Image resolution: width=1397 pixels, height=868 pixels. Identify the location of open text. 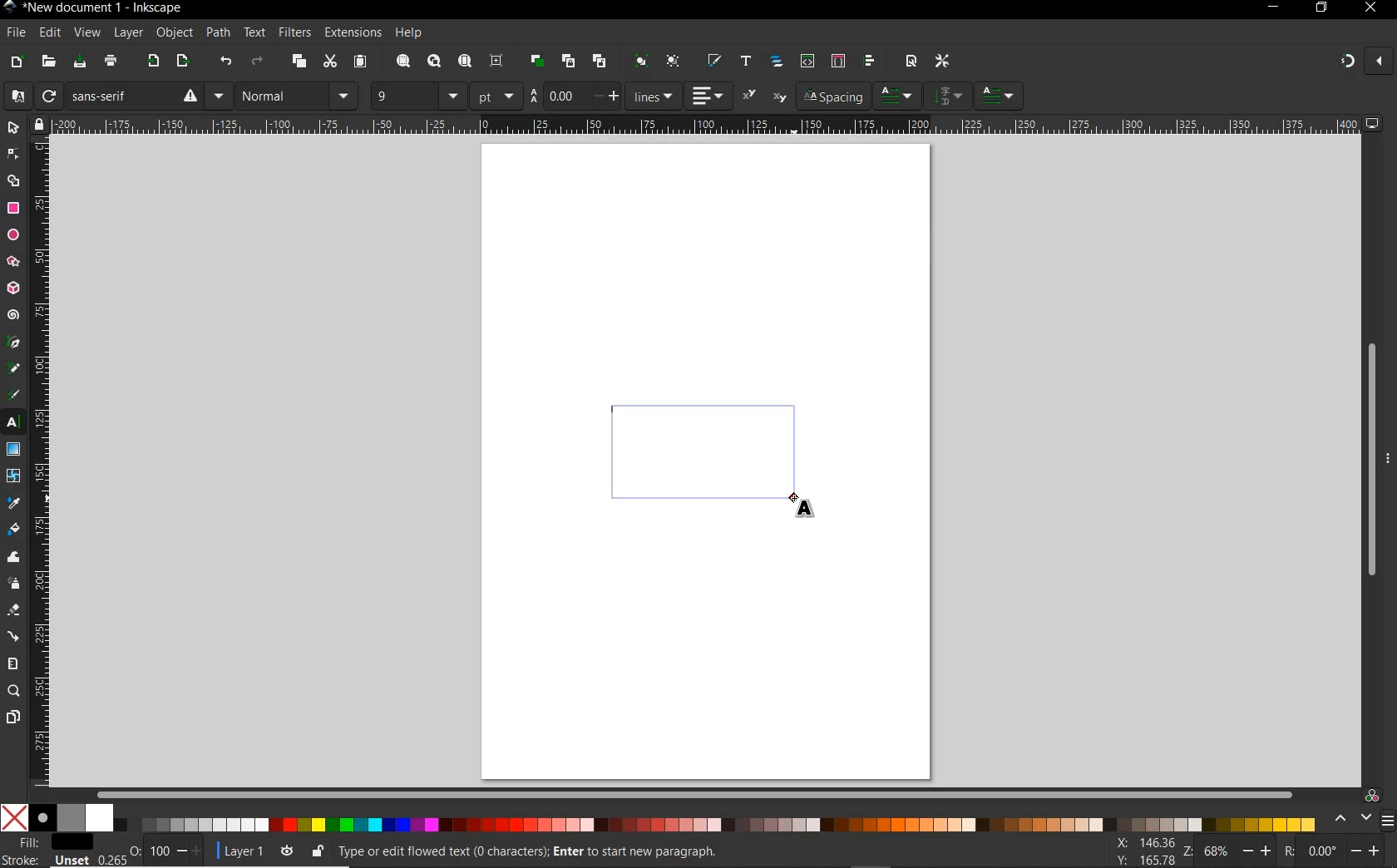
(745, 60).